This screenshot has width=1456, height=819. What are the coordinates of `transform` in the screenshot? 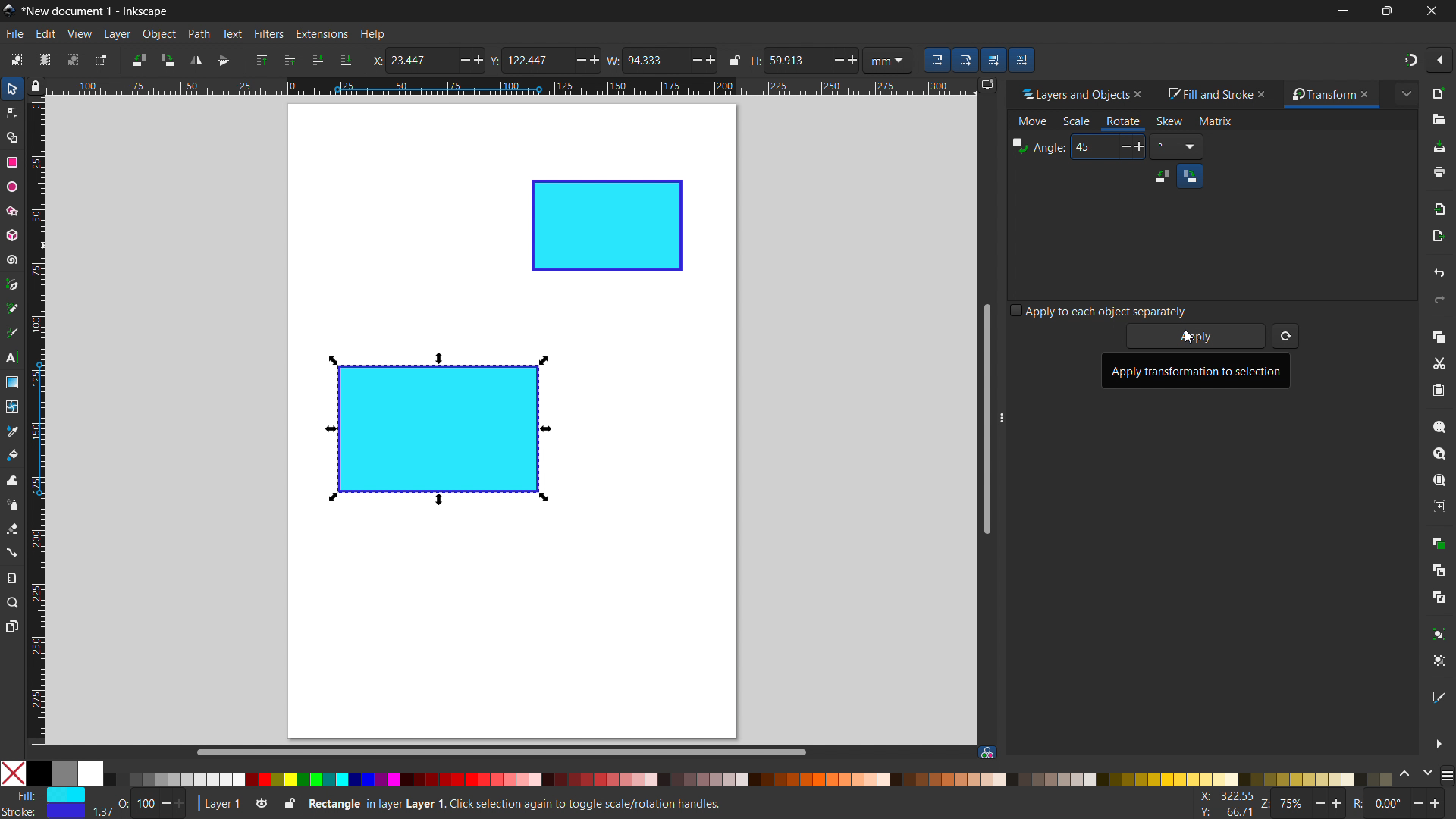 It's located at (1319, 95).